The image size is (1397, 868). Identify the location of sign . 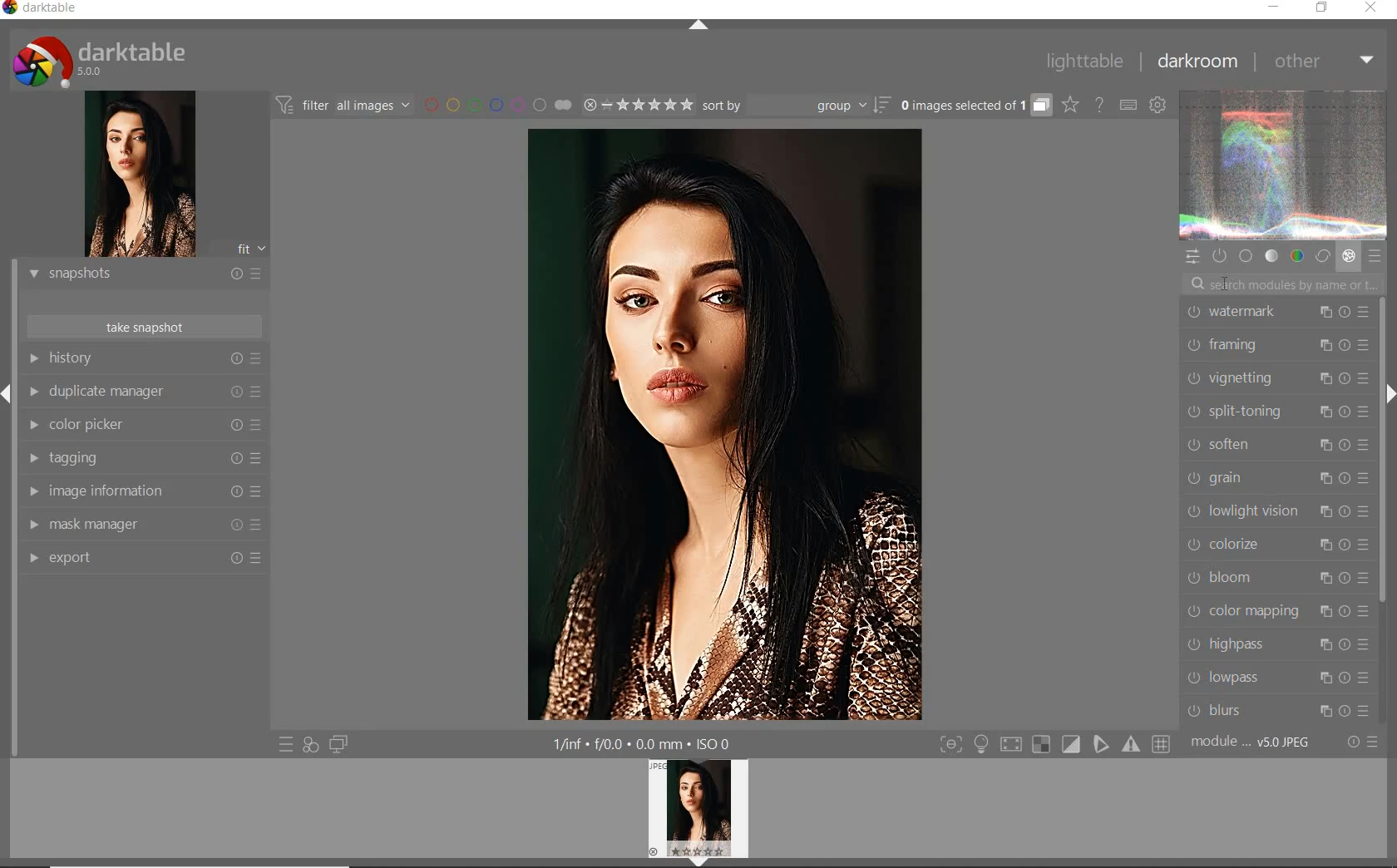
(1042, 746).